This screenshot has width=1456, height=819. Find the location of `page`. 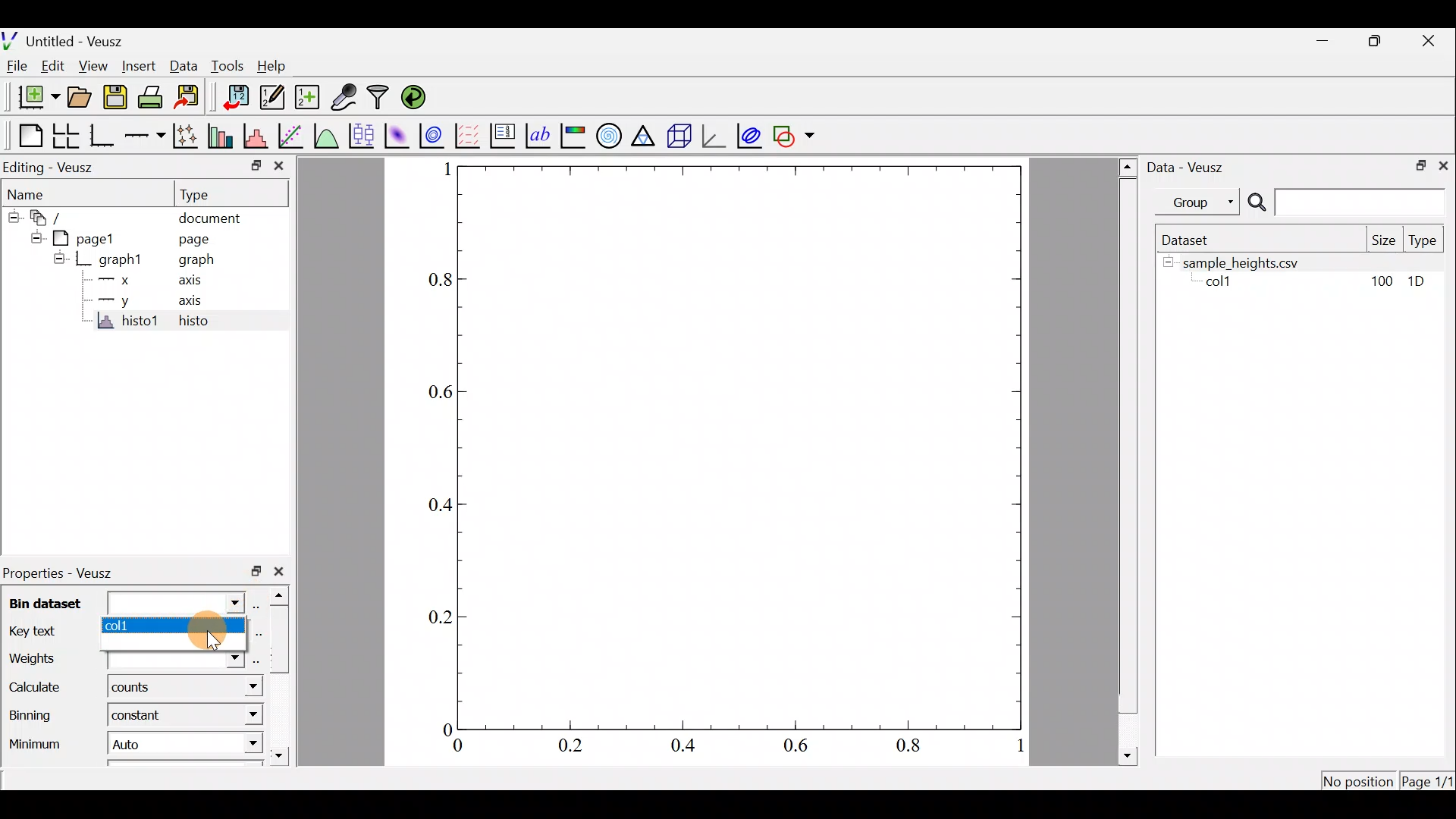

page is located at coordinates (196, 240).